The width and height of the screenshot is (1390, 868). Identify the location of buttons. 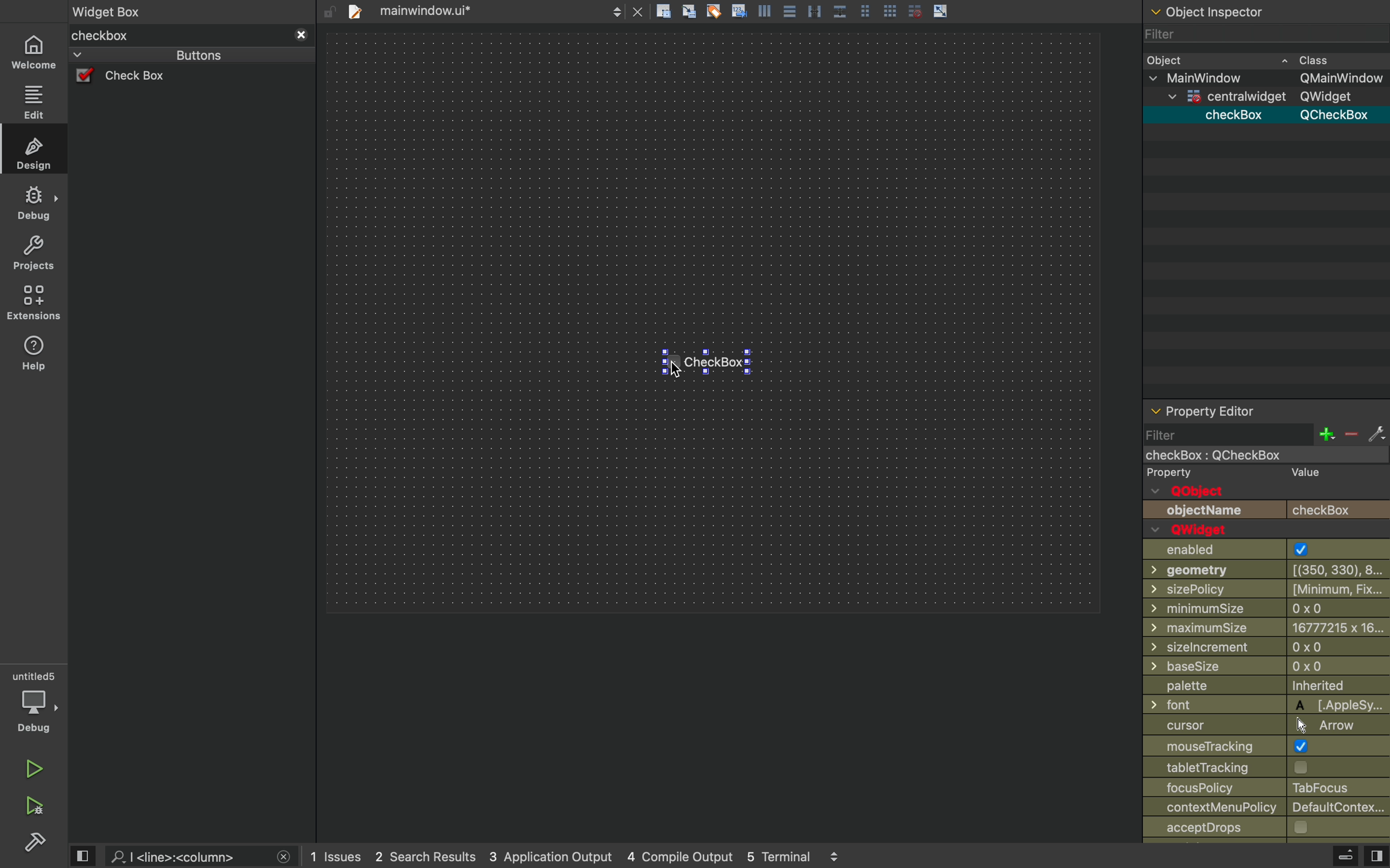
(175, 55).